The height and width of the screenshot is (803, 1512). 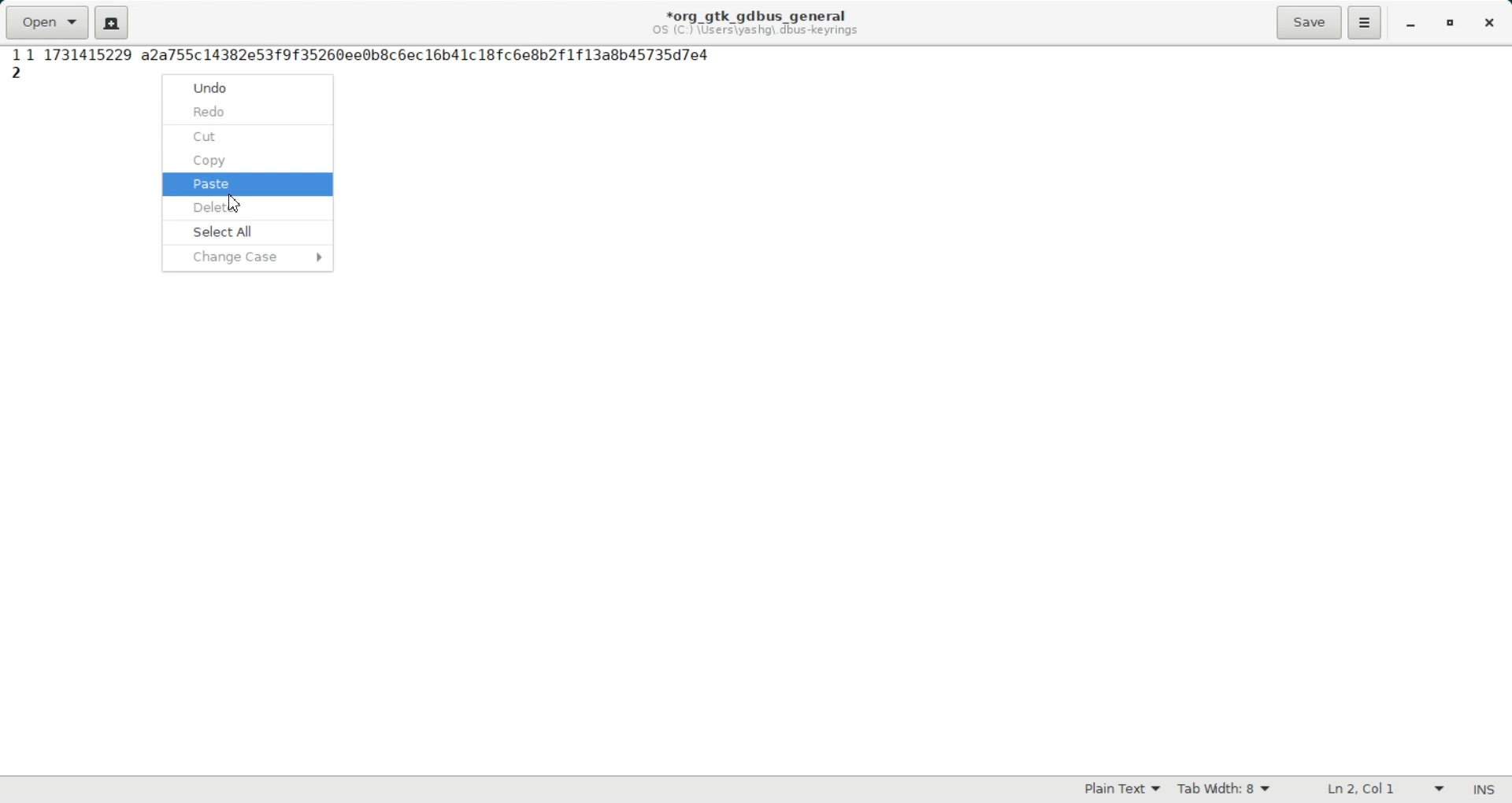 What do you see at coordinates (368, 54) in the screenshot?
I see `highlighted text` at bounding box center [368, 54].